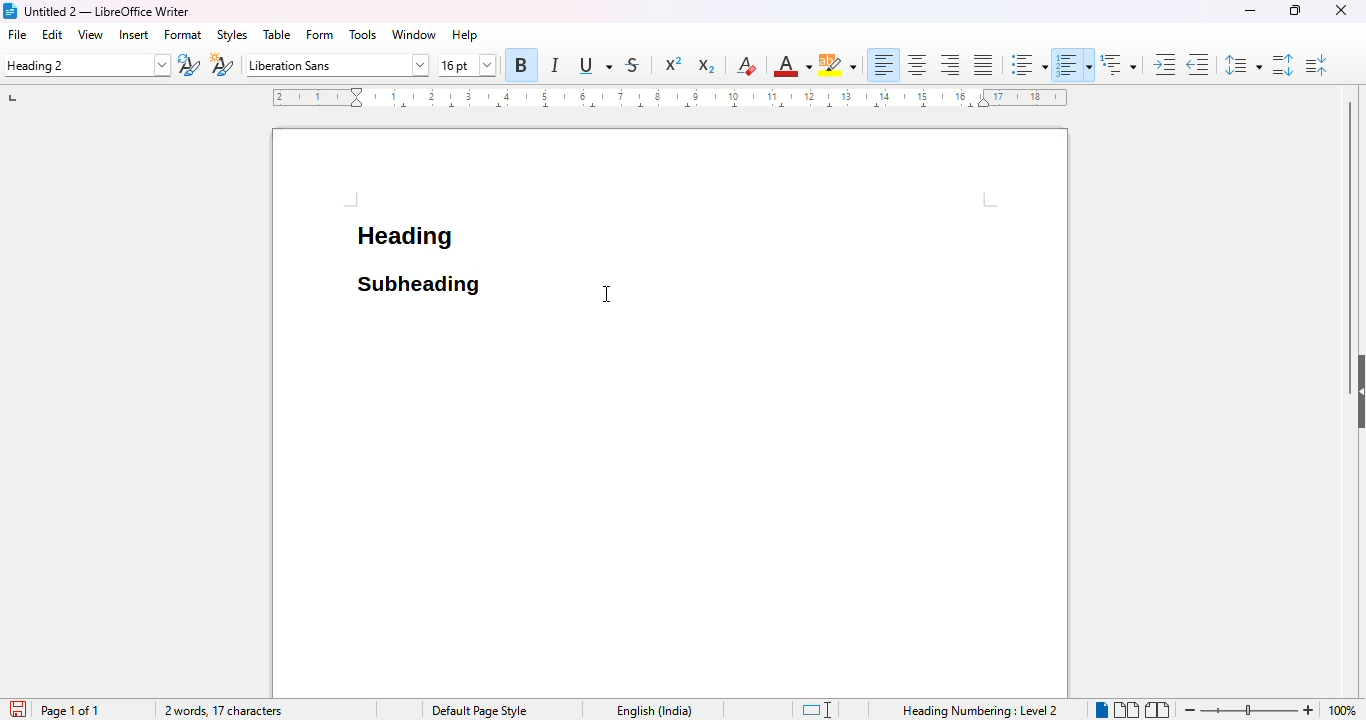  Describe the element at coordinates (320, 35) in the screenshot. I see `form` at that location.